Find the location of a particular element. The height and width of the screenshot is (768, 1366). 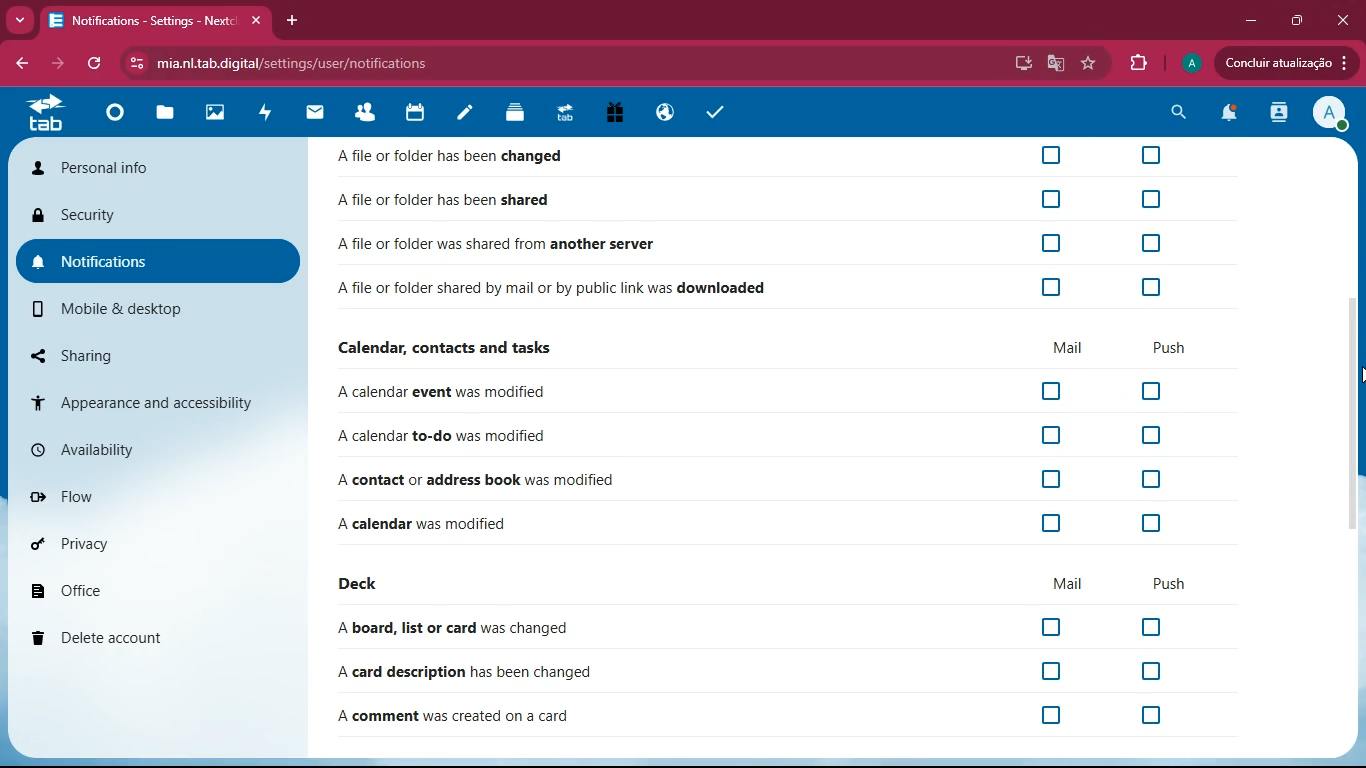

off is located at coordinates (1057, 715).